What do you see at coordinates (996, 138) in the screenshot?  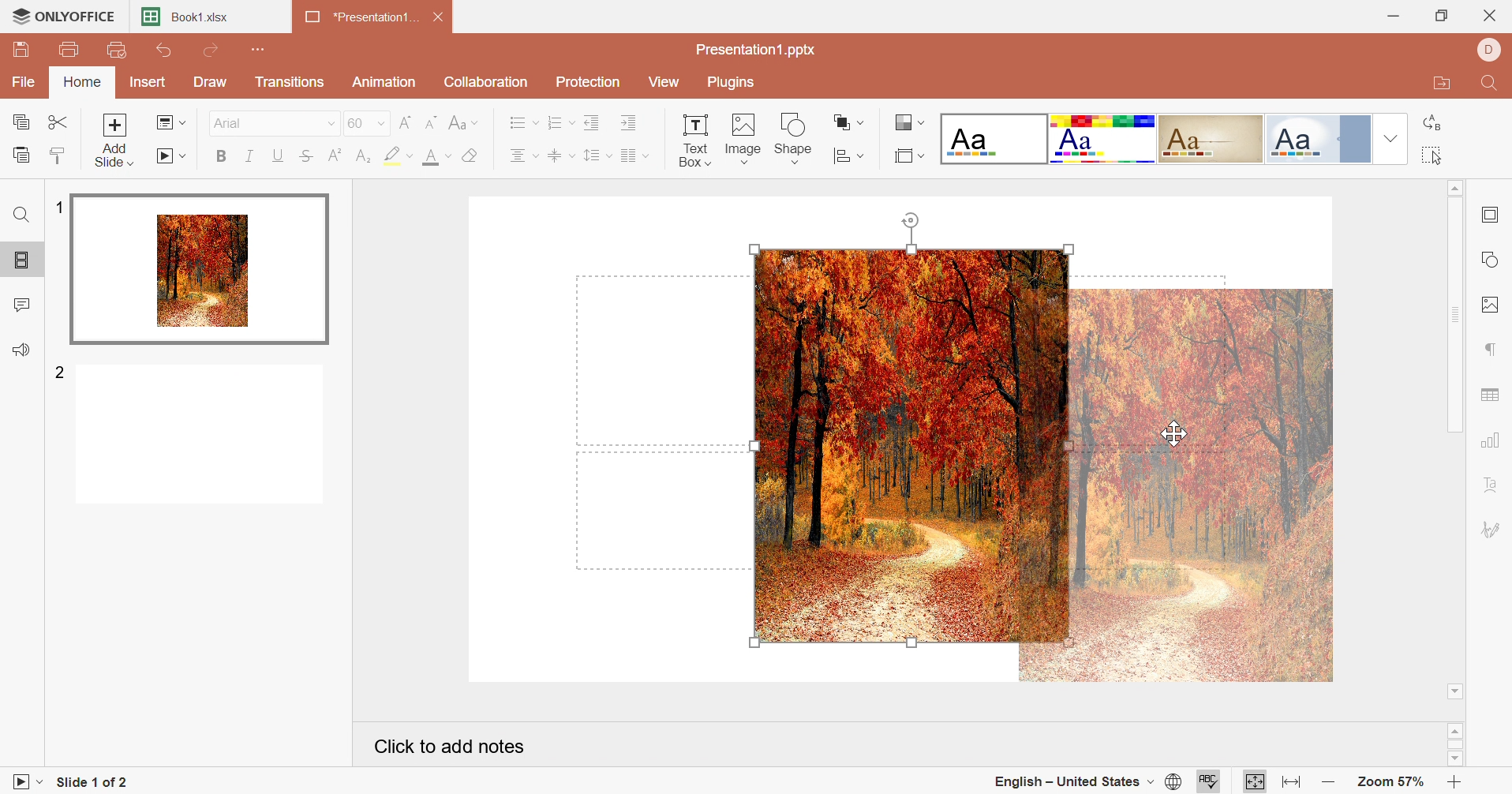 I see `Blank` at bounding box center [996, 138].